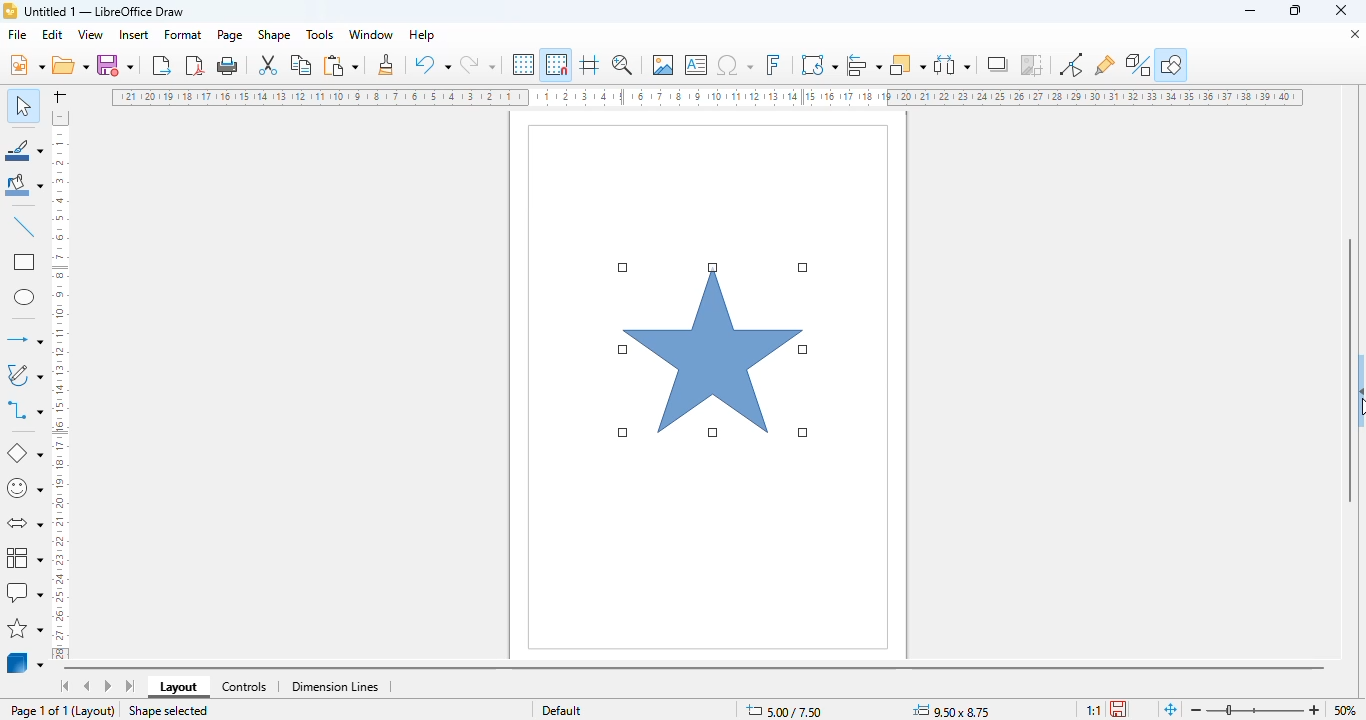 The width and height of the screenshot is (1366, 720). I want to click on logo, so click(10, 10).